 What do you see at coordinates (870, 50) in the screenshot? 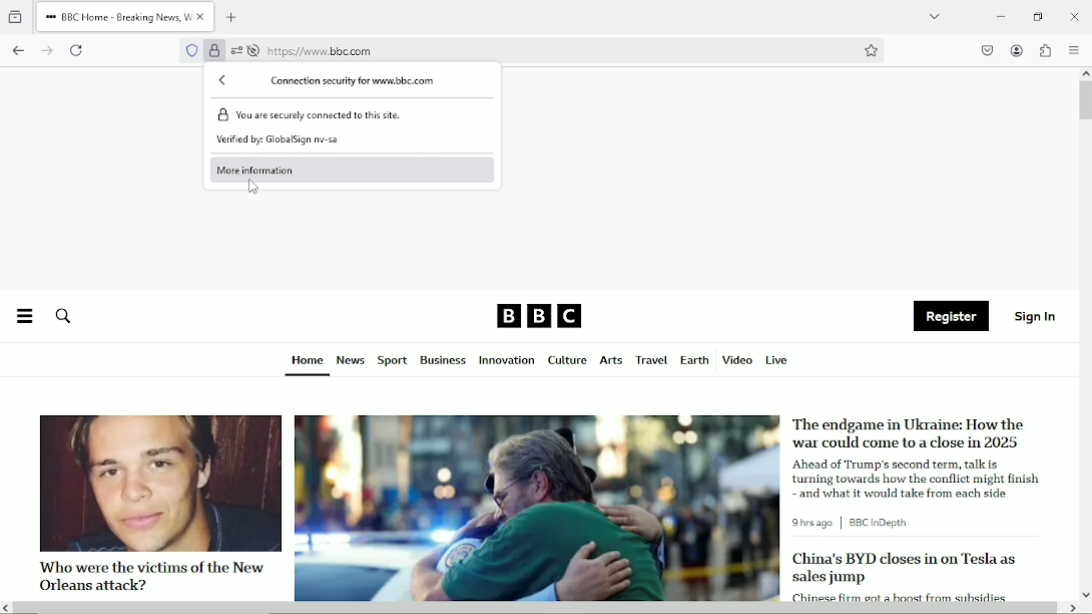
I see `Bookmark this page` at bounding box center [870, 50].